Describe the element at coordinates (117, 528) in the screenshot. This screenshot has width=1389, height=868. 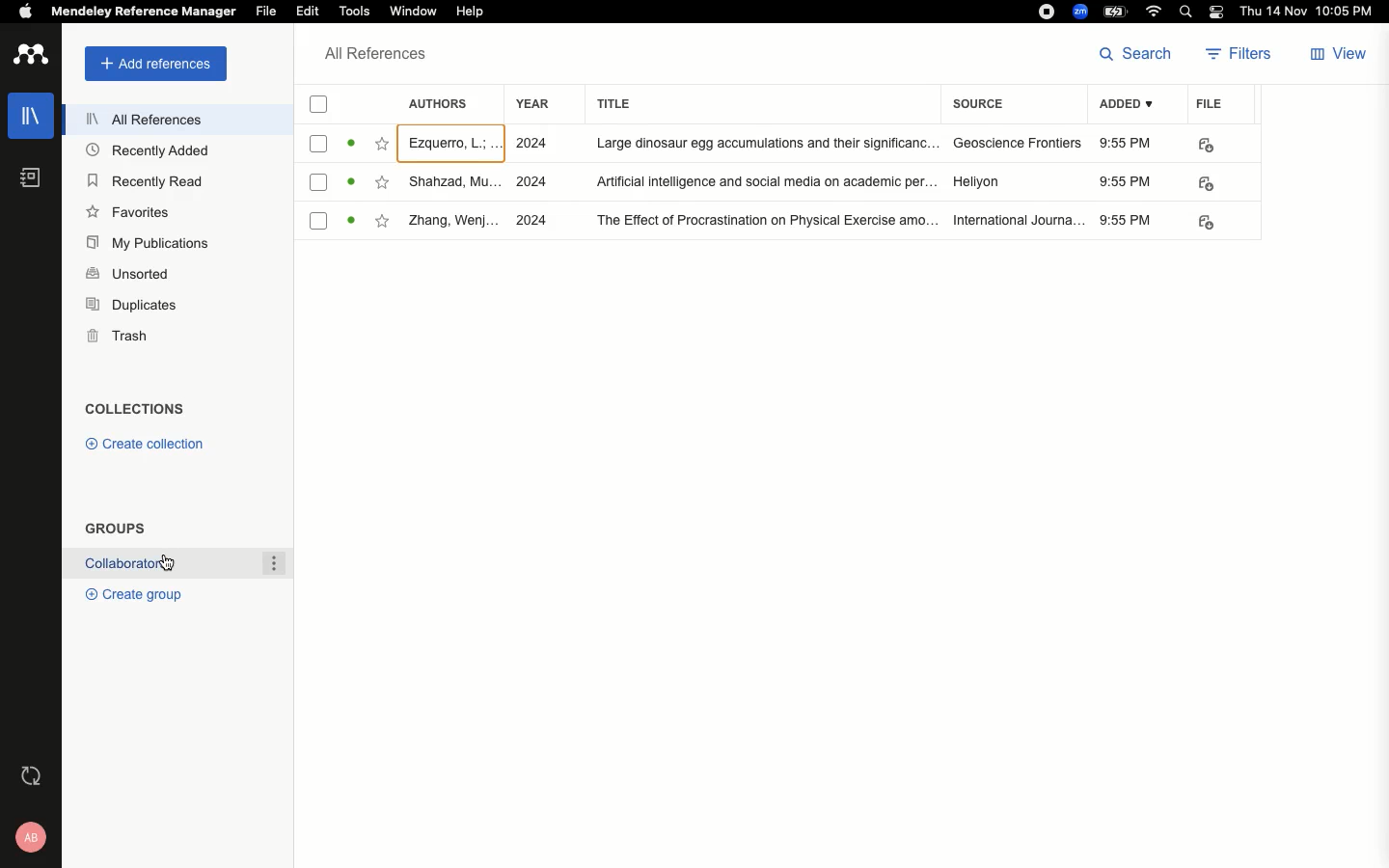
I see `Groups` at that location.